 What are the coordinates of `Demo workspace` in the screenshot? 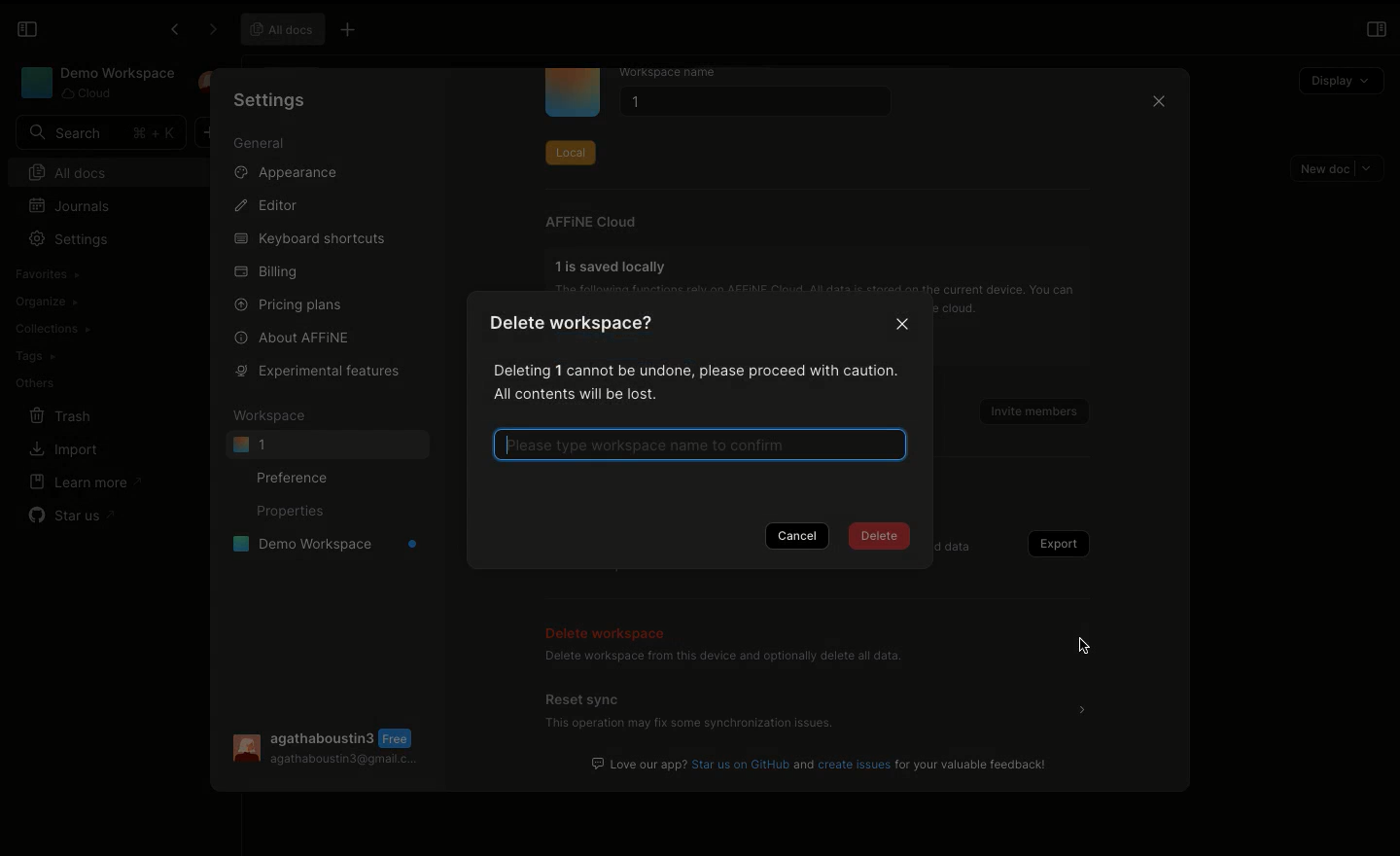 It's located at (319, 547).